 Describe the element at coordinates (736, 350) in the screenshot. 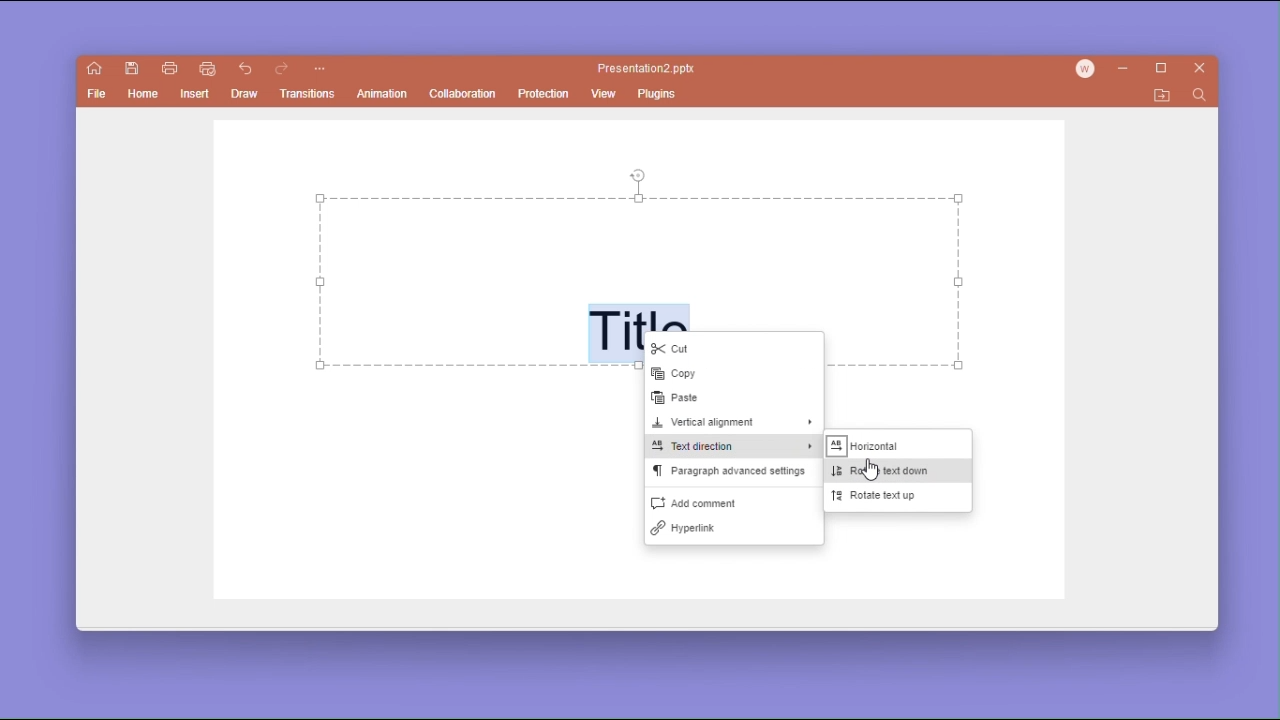

I see `cut` at that location.